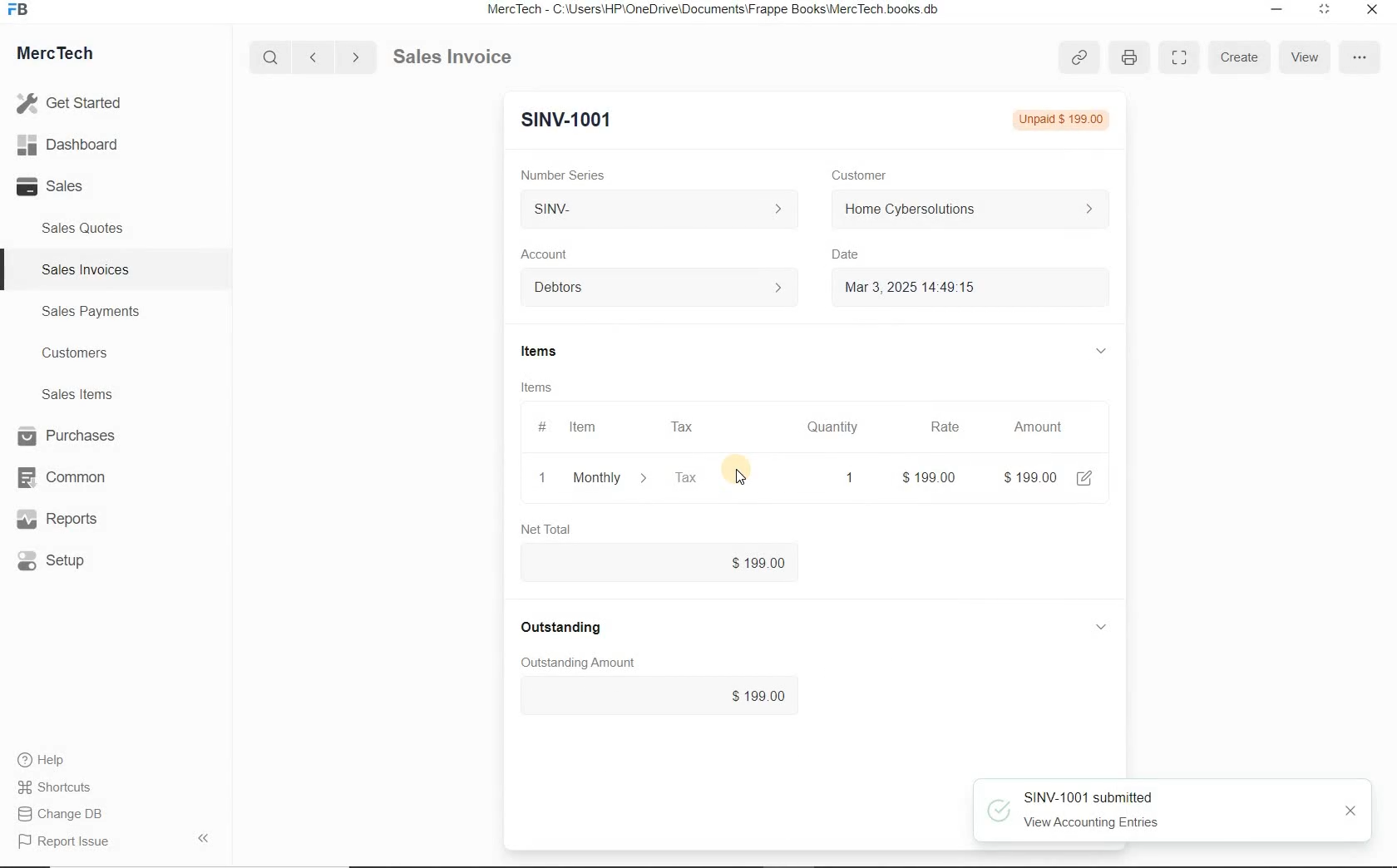 This screenshot has width=1397, height=868. Describe the element at coordinates (591, 478) in the screenshot. I see `Monthly` at that location.